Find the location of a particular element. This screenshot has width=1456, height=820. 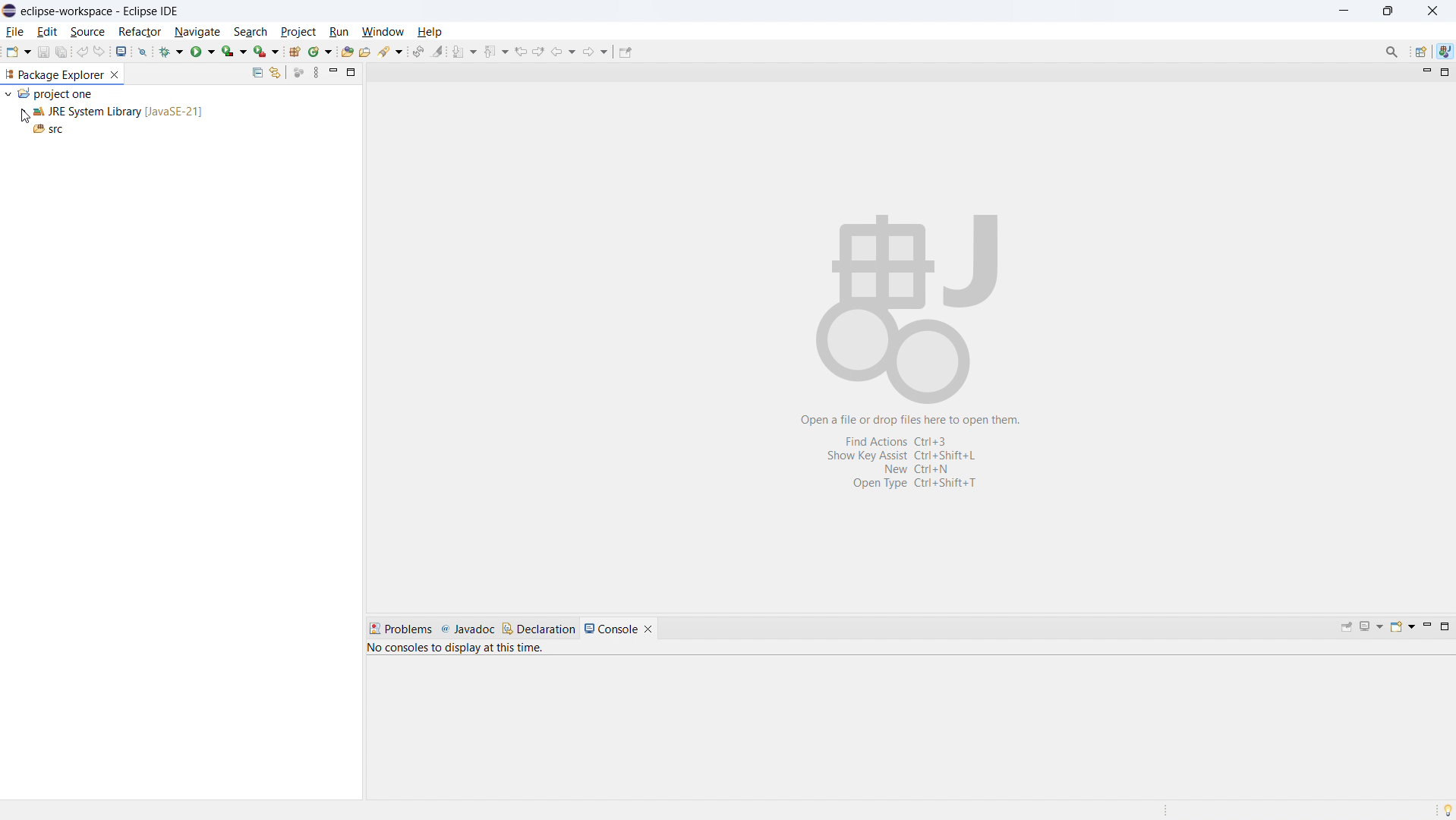

Search is located at coordinates (392, 52).